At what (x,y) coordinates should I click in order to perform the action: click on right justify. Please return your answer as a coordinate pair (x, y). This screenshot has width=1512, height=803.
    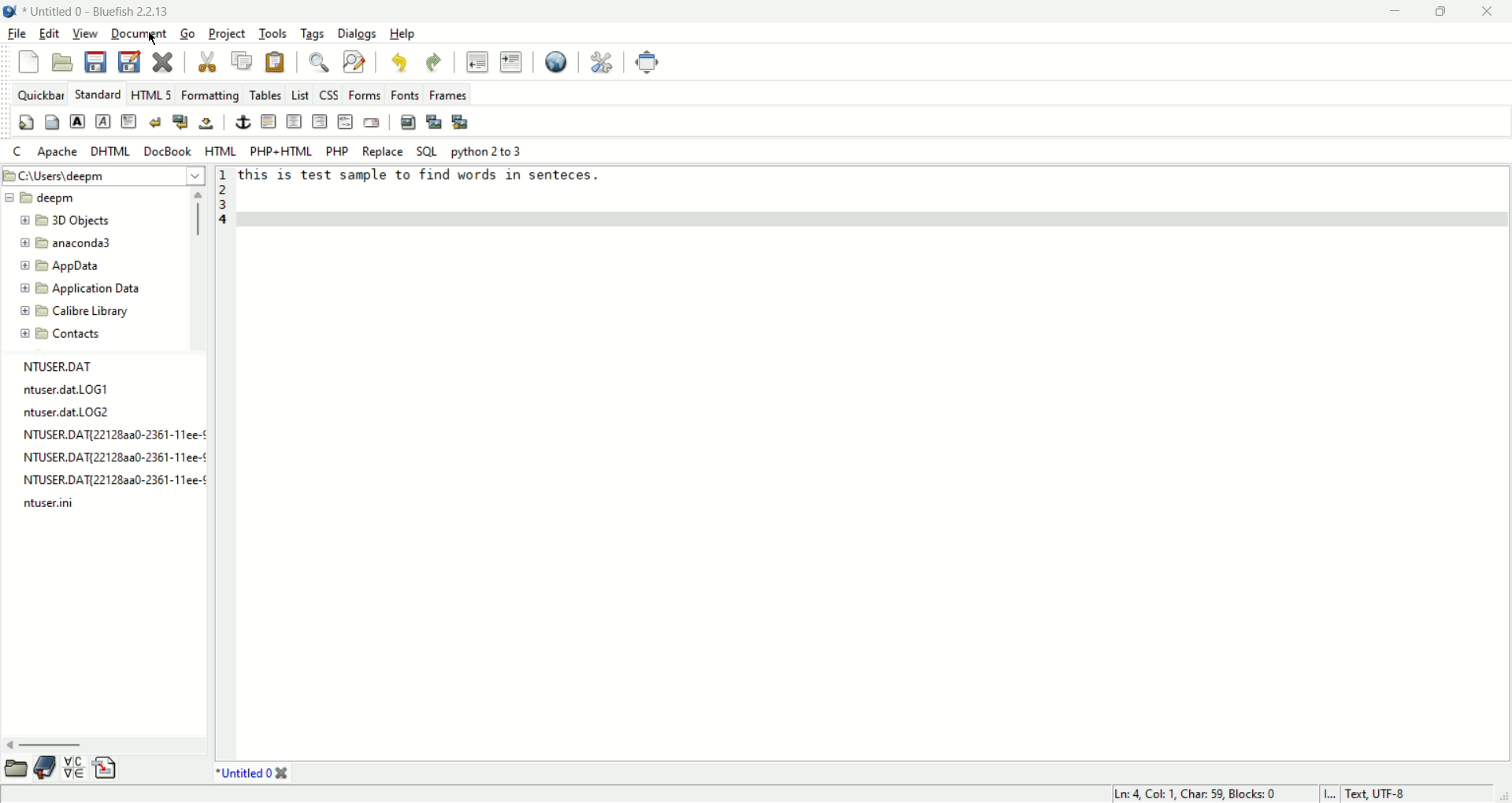
    Looking at the image, I should click on (320, 121).